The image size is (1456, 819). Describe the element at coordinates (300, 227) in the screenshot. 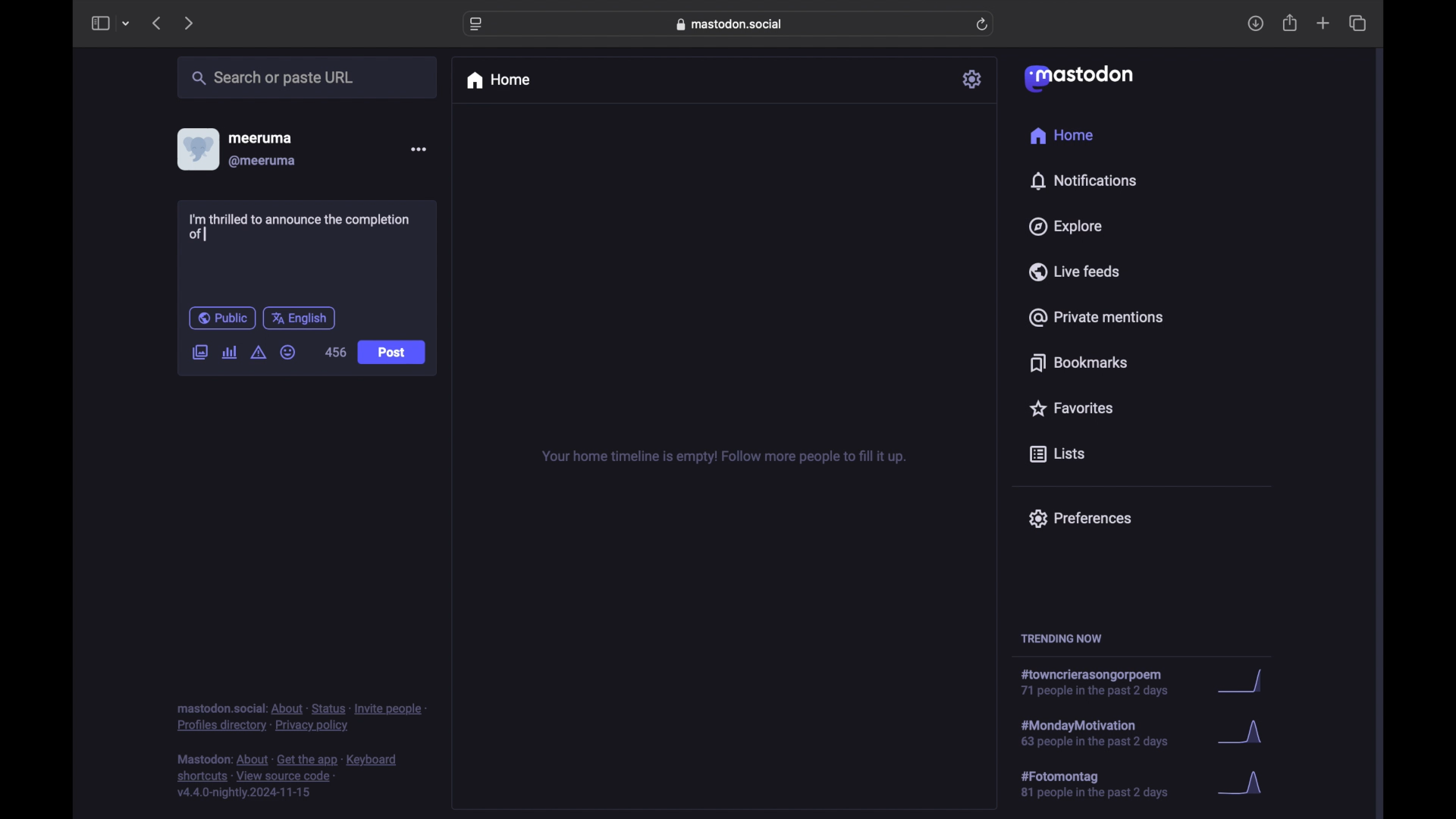

I see `I'm thrilled to announce the completion of` at that location.